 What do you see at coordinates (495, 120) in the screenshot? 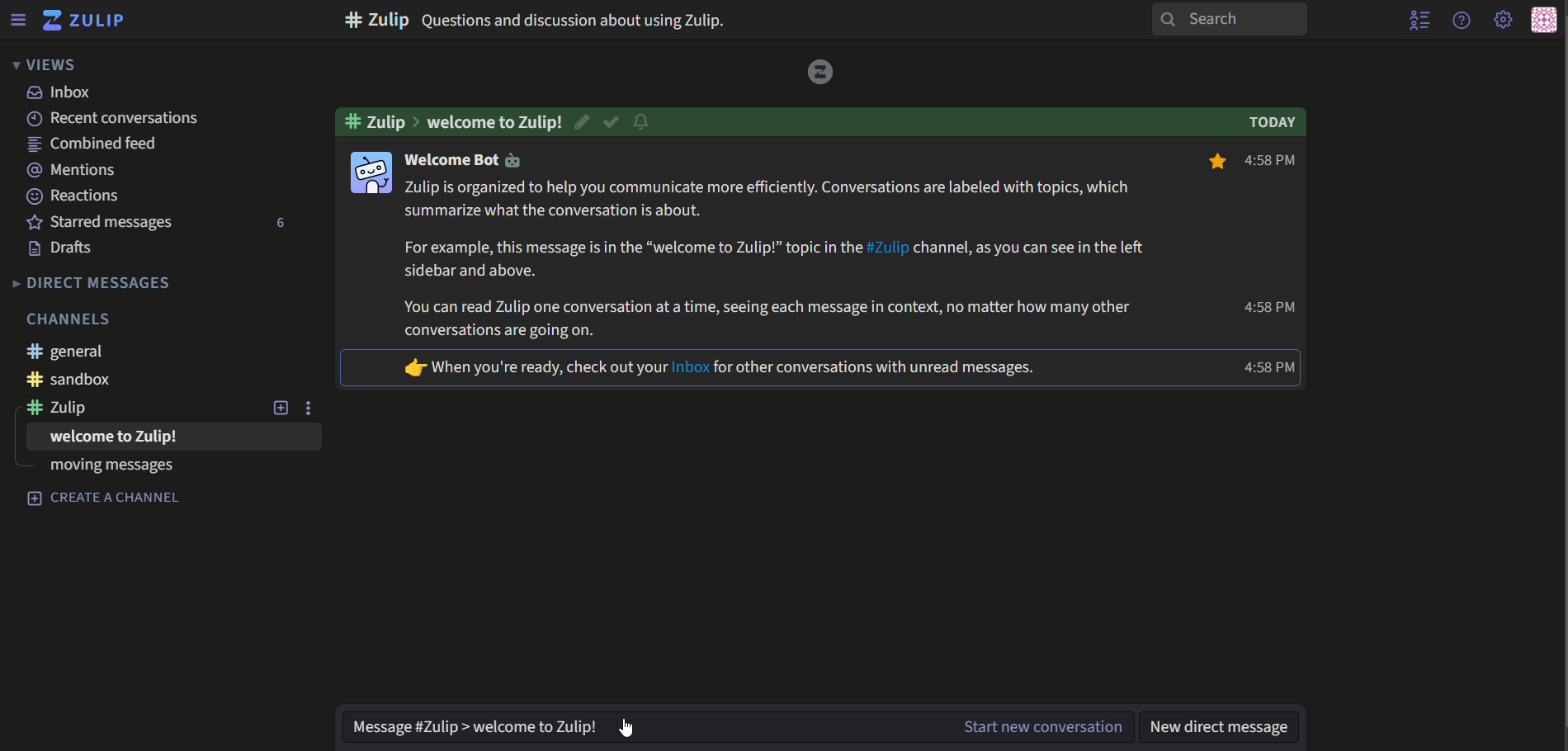
I see `text` at bounding box center [495, 120].